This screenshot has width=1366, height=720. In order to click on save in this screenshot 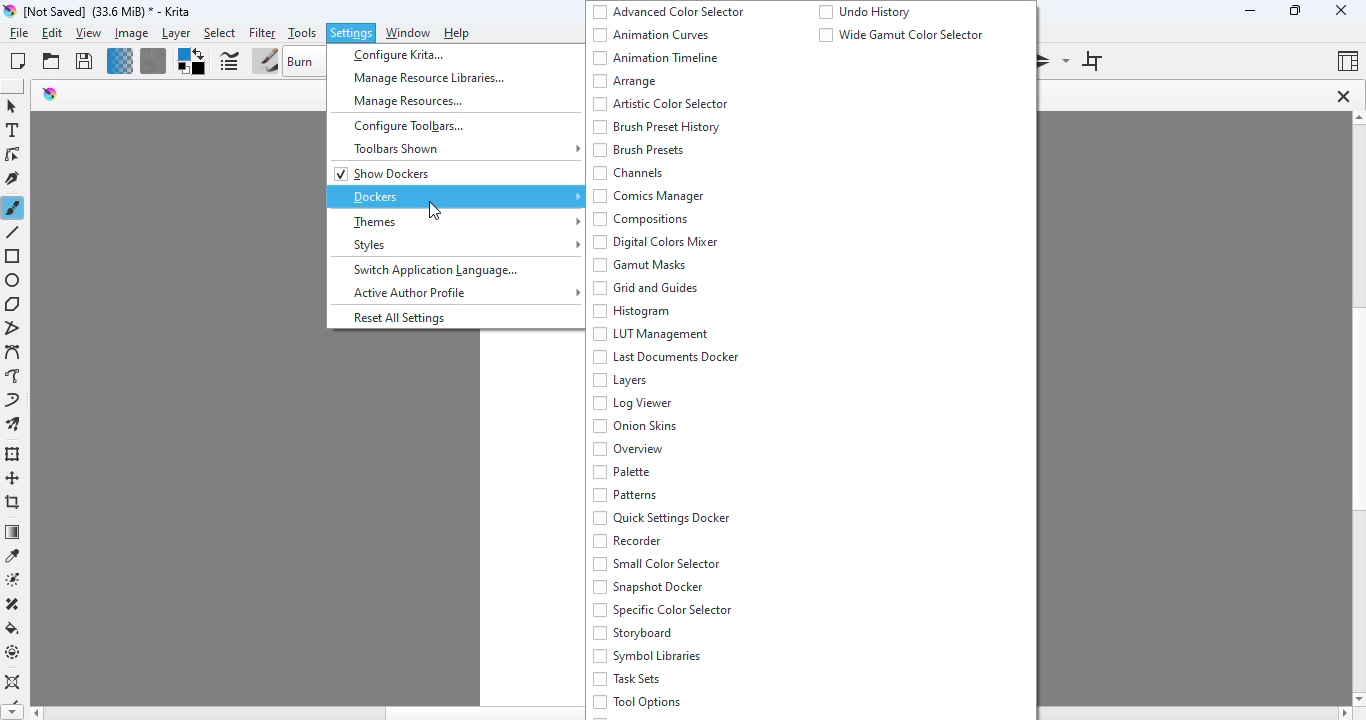, I will do `click(84, 61)`.